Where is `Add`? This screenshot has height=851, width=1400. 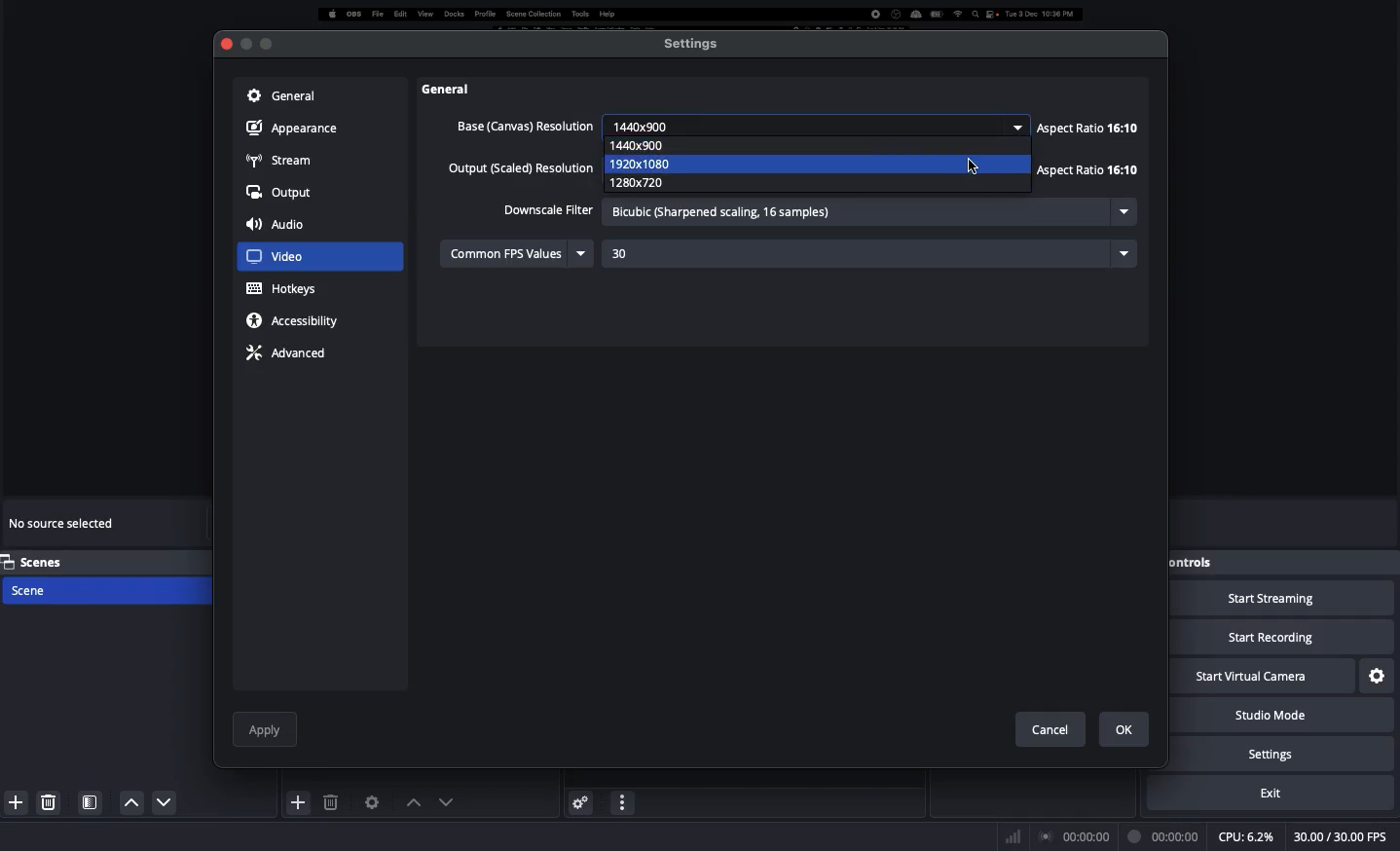
Add is located at coordinates (13, 800).